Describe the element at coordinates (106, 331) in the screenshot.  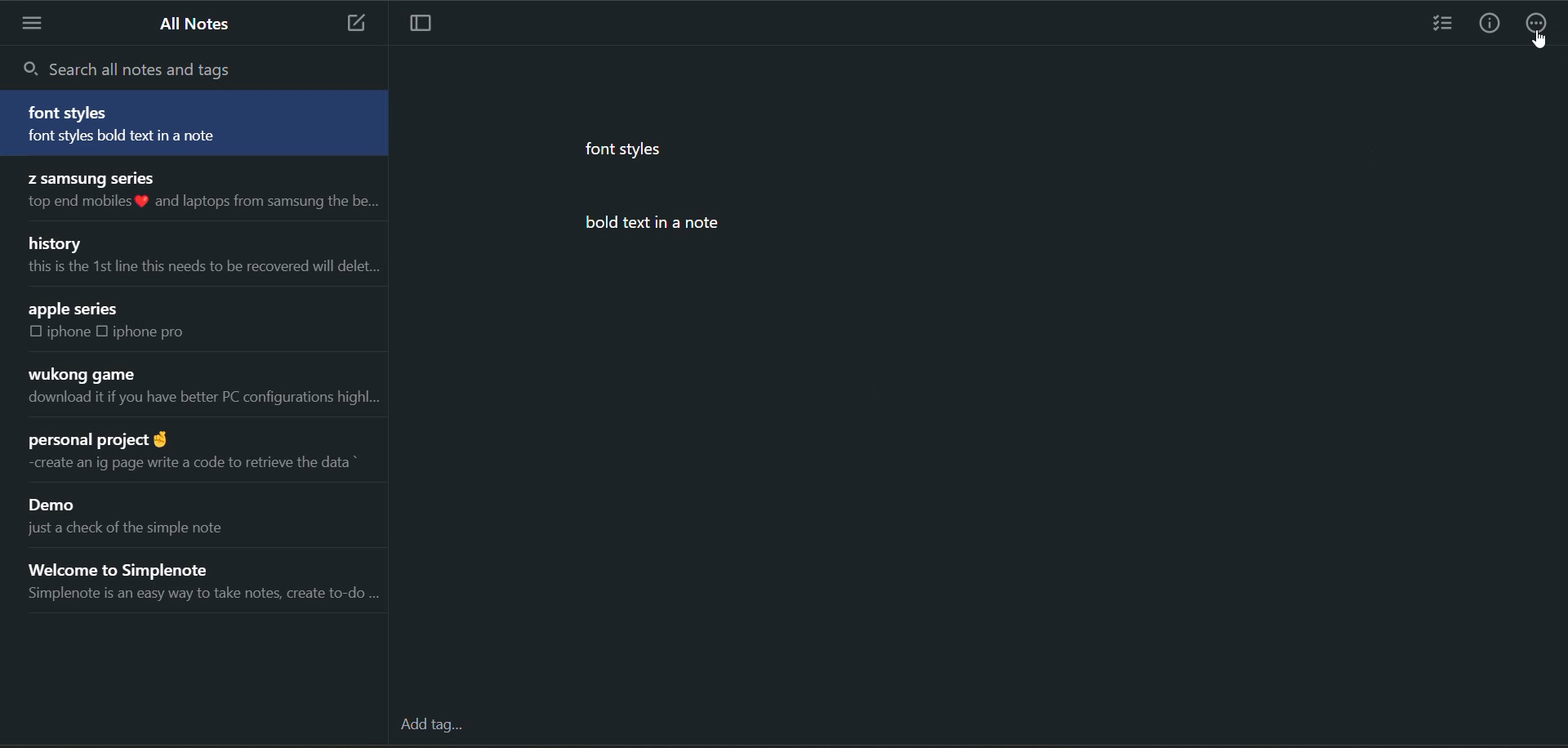
I see `checkbox` at that location.